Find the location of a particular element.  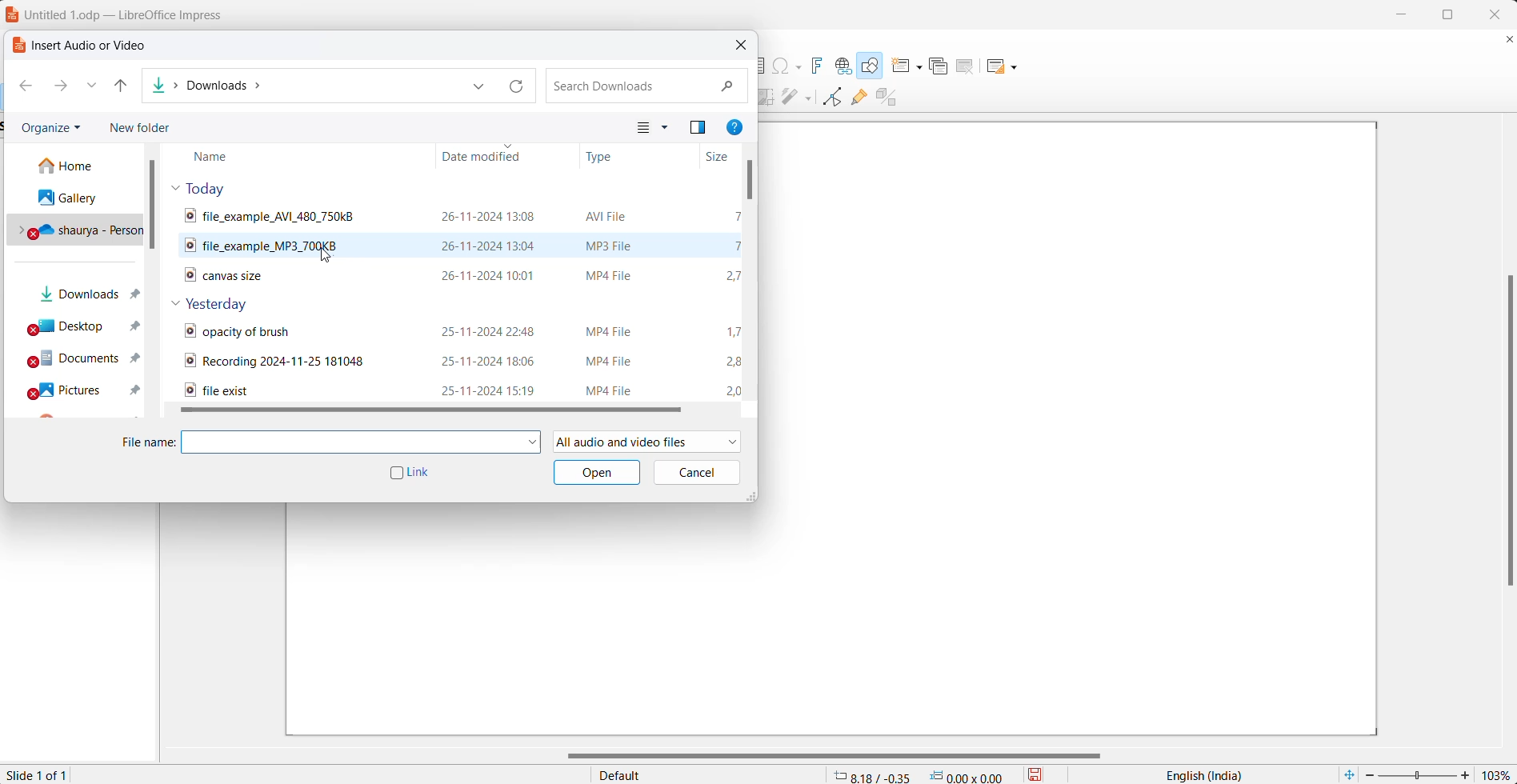

close is located at coordinates (744, 43).